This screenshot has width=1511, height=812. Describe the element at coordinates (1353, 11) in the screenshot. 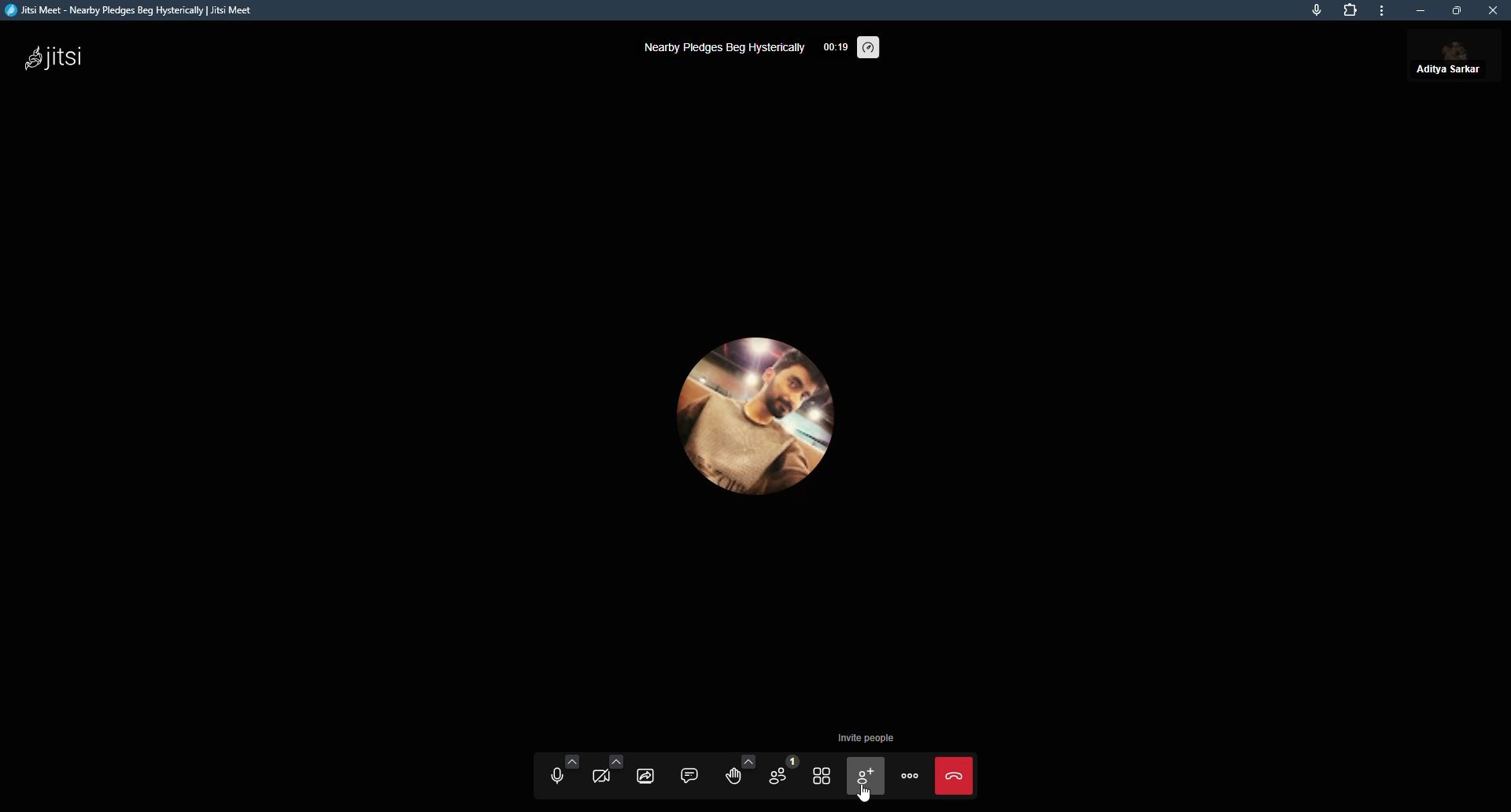

I see `extensions` at that location.